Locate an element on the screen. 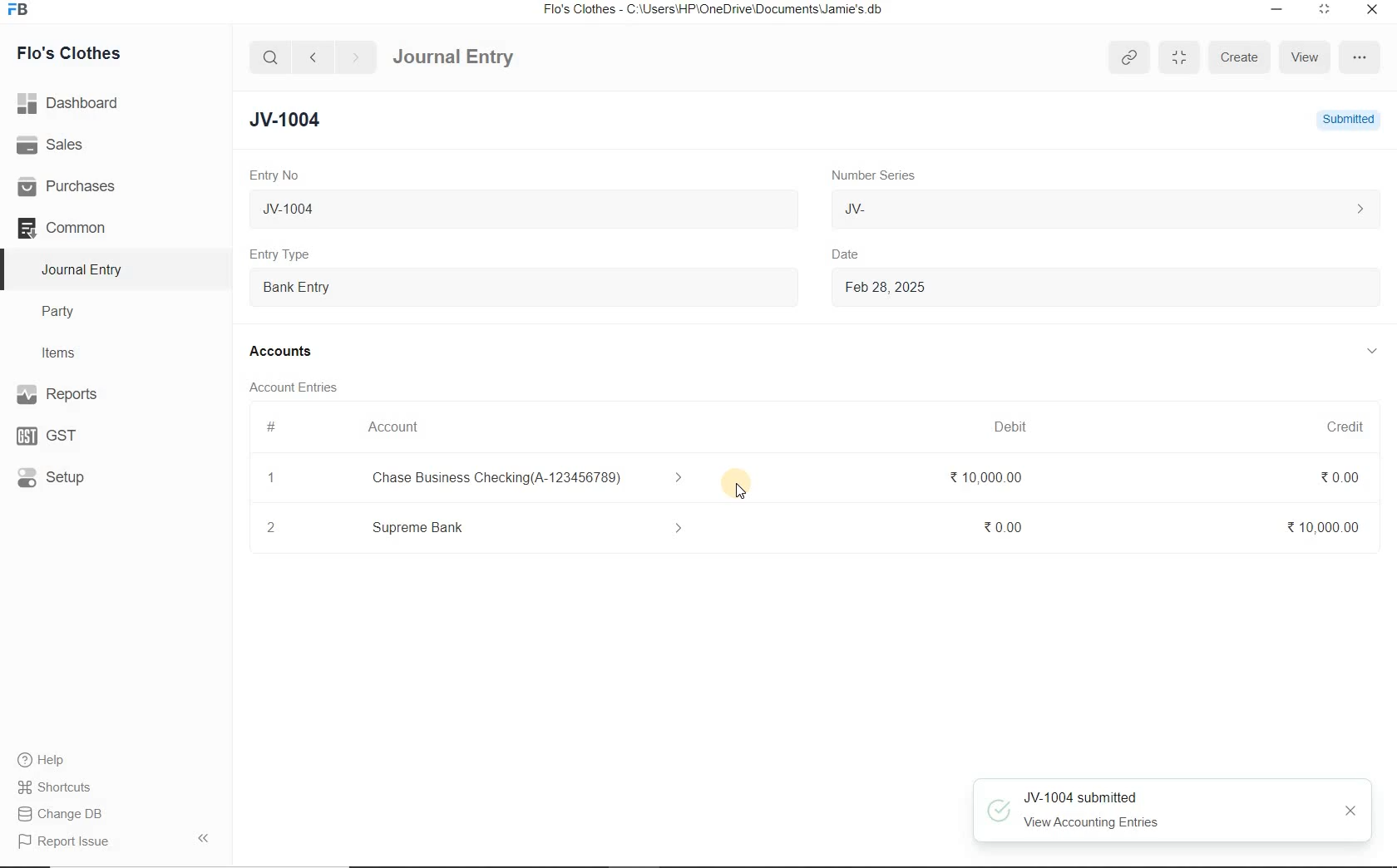 Image resolution: width=1397 pixels, height=868 pixels. Report Issue is located at coordinates (64, 841).